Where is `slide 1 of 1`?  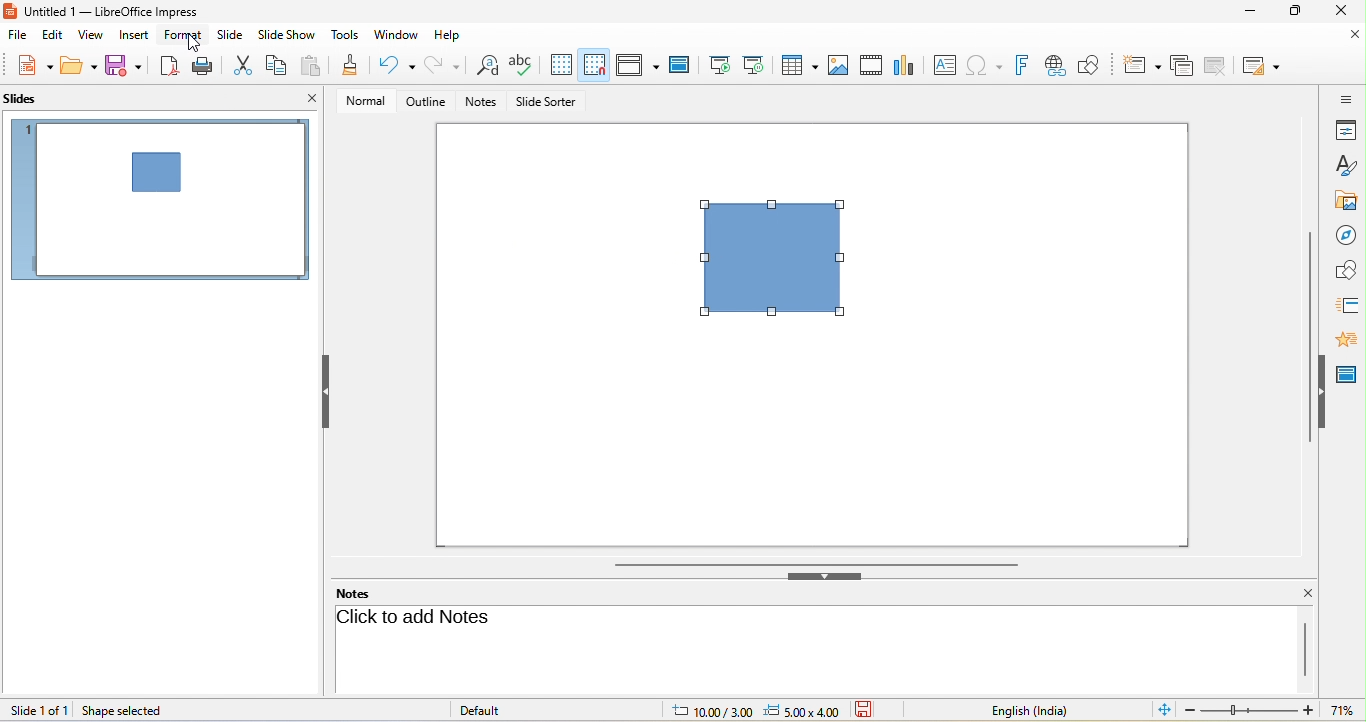
slide 1 of 1 is located at coordinates (38, 710).